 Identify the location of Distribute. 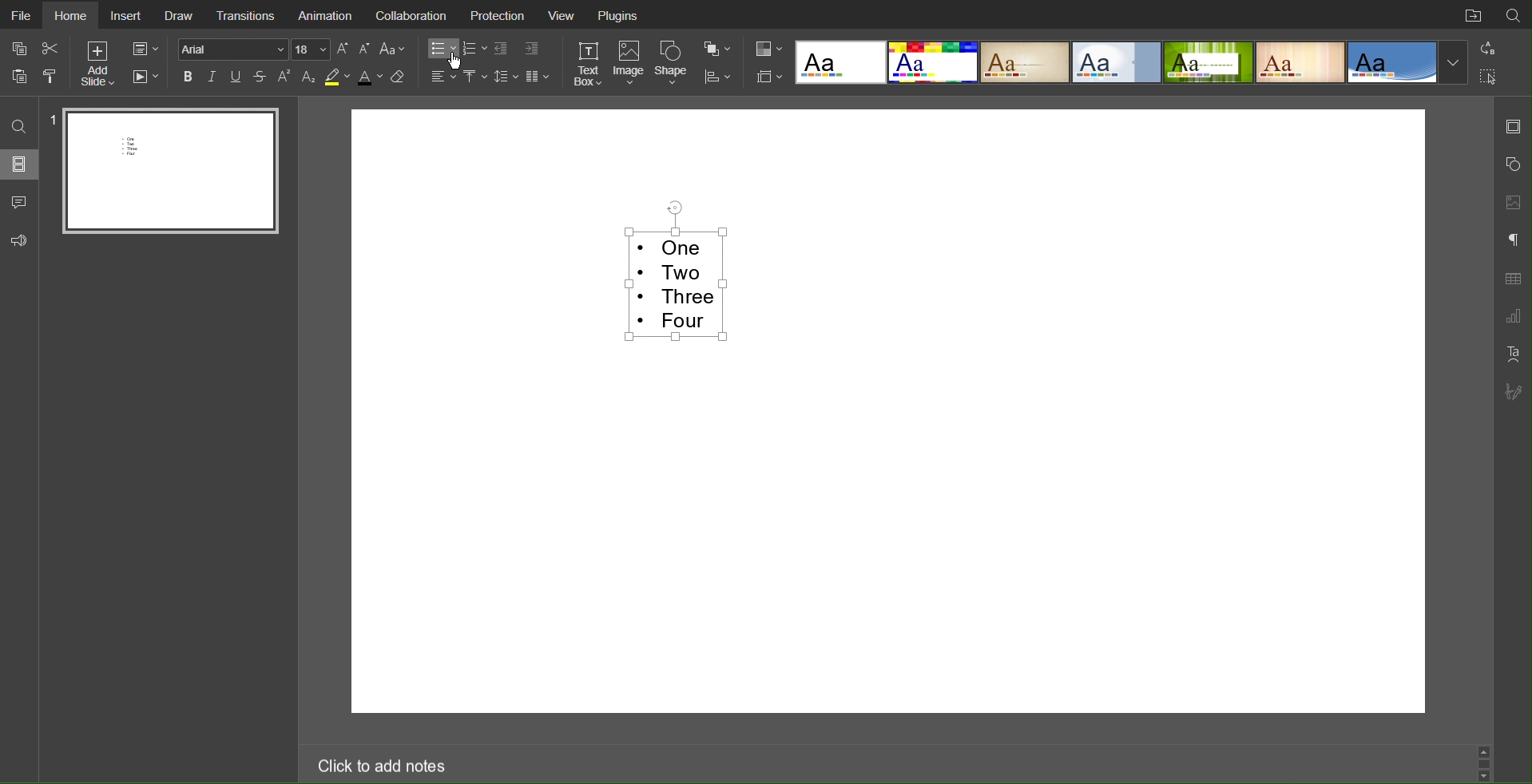
(717, 79).